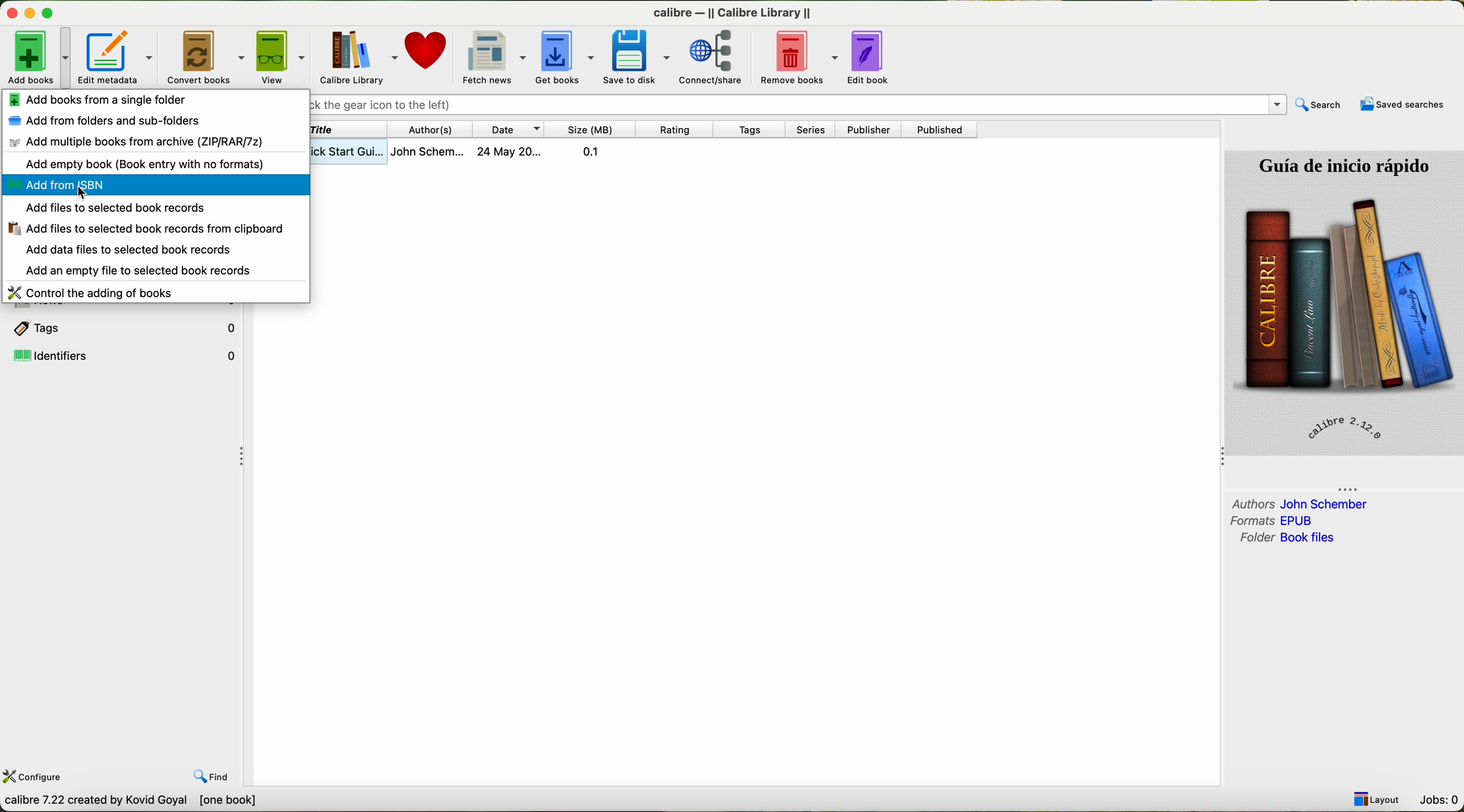  I want to click on add files to selected book records clipboard, so click(144, 228).